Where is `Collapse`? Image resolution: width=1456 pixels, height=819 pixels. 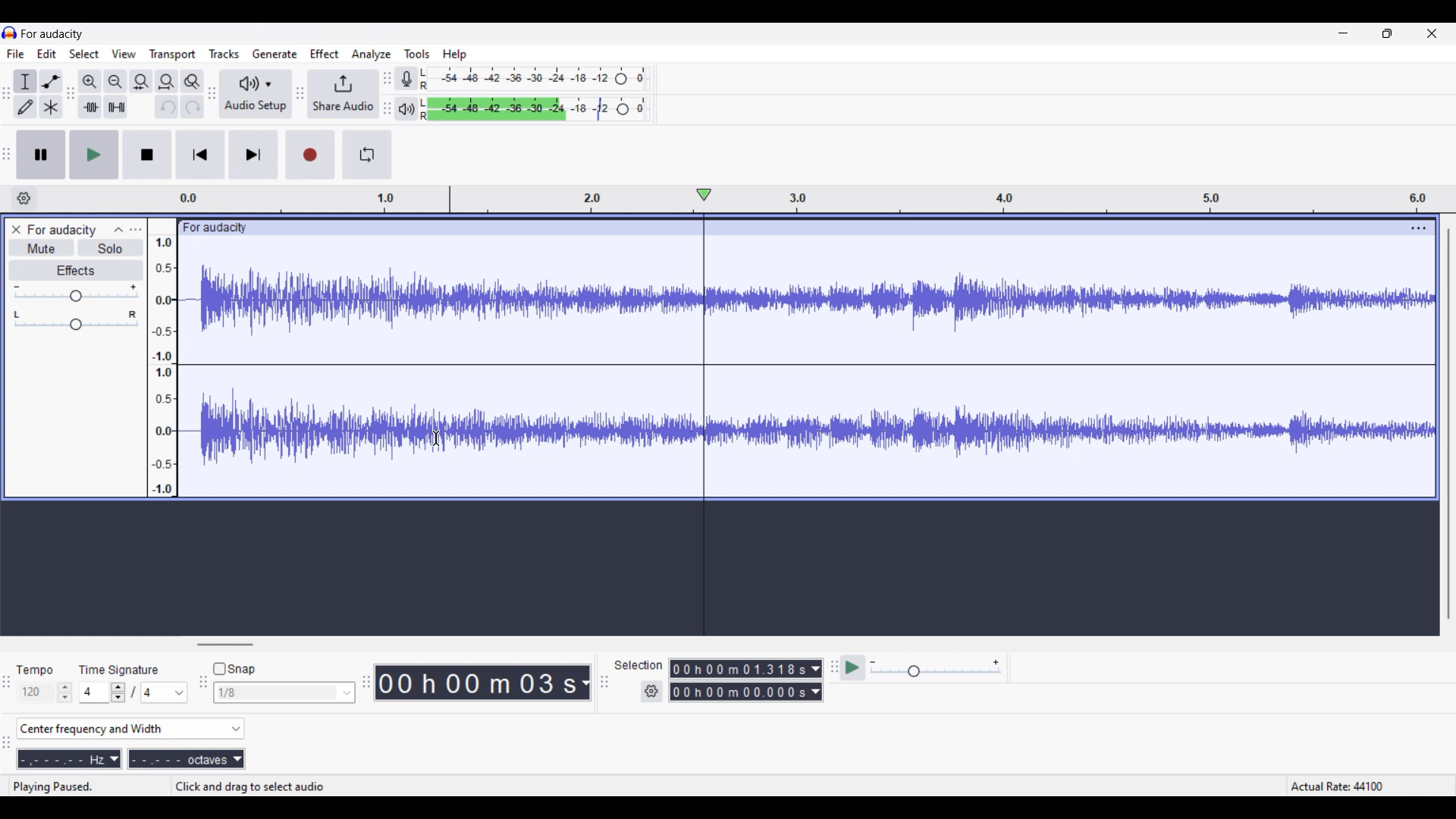 Collapse is located at coordinates (119, 230).